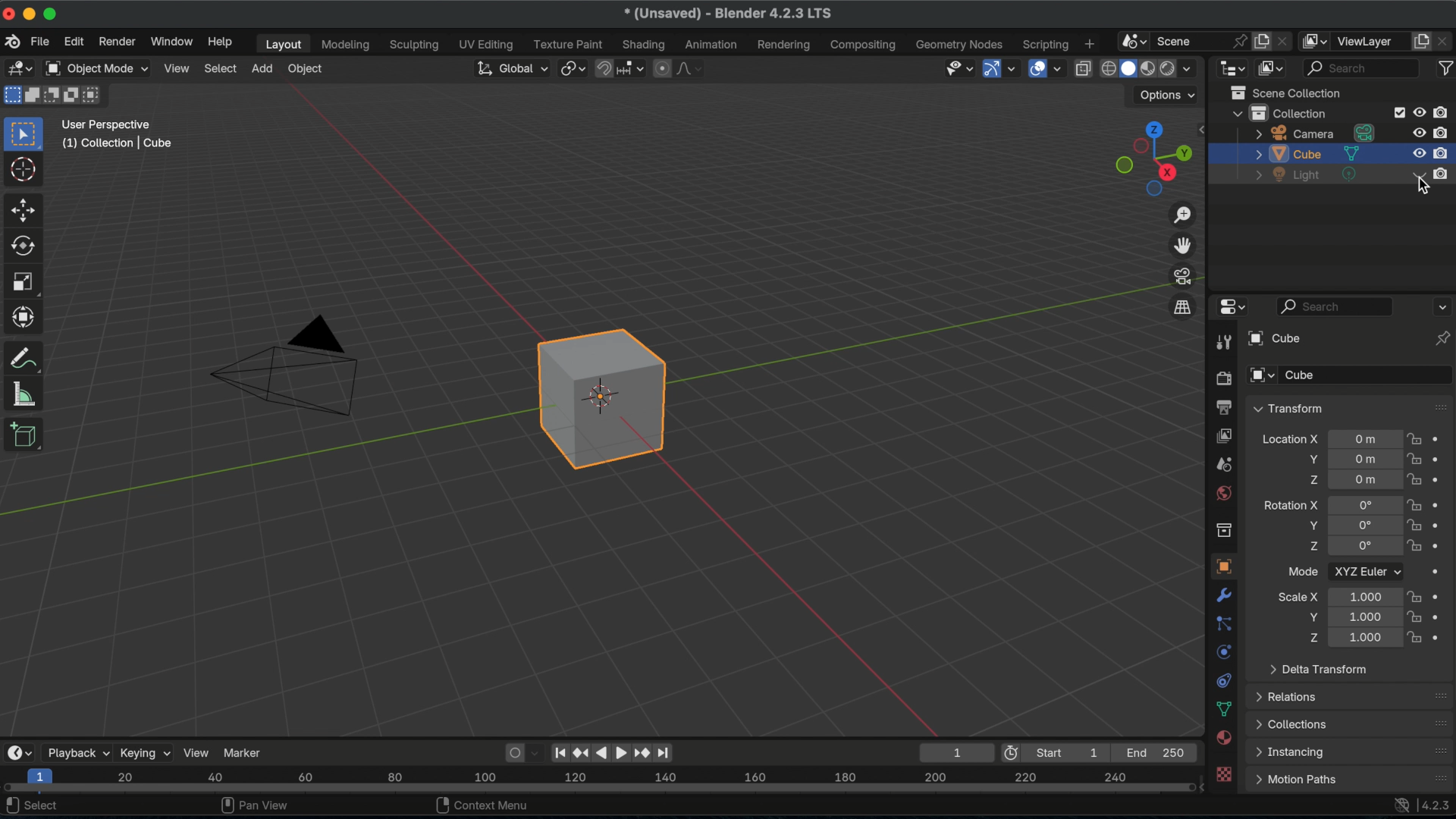  What do you see at coordinates (1047, 67) in the screenshot?
I see `show overlays dropdown` at bounding box center [1047, 67].